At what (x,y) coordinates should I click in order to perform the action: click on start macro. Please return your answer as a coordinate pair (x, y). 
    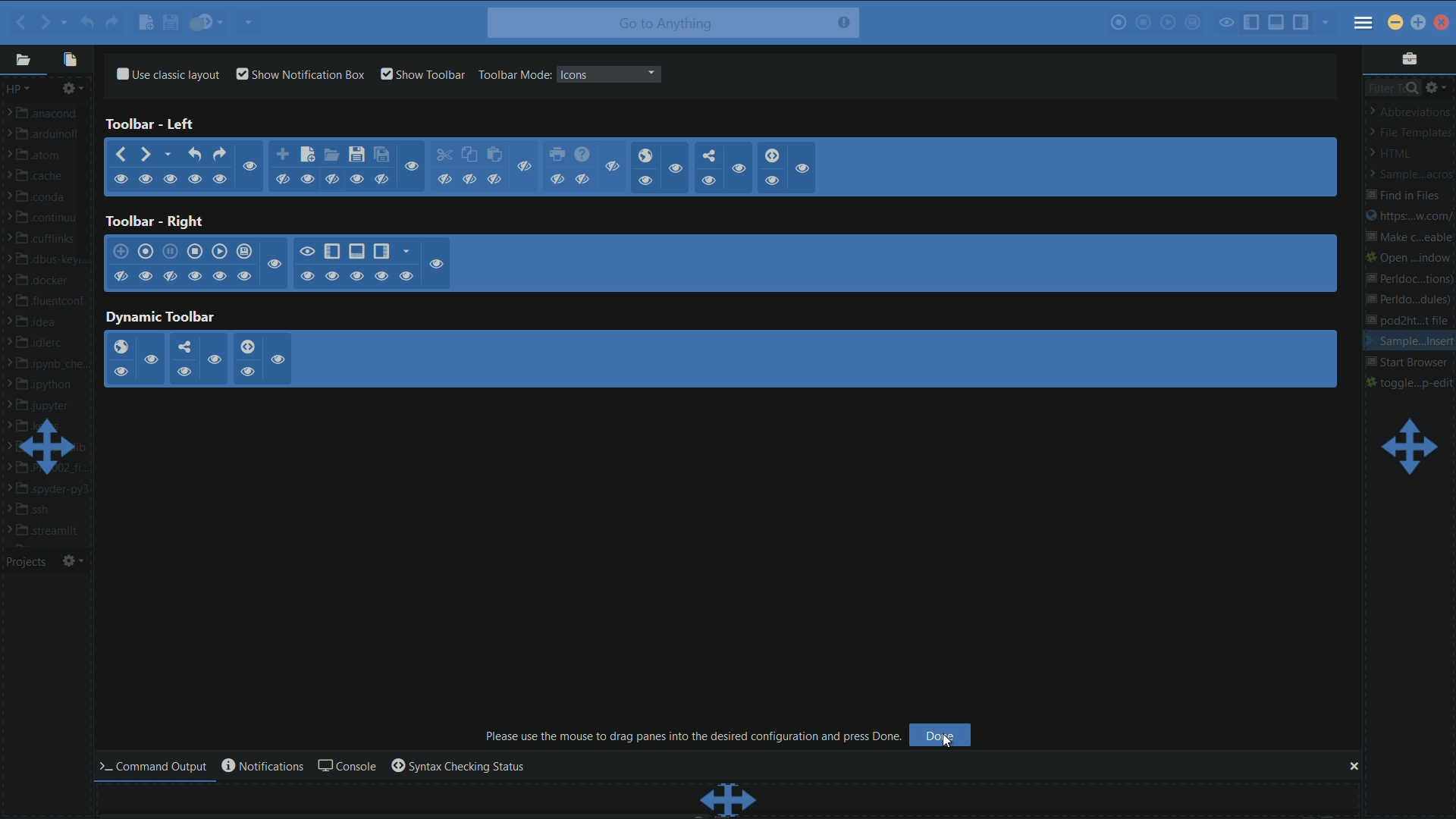
    Looking at the image, I should click on (148, 253).